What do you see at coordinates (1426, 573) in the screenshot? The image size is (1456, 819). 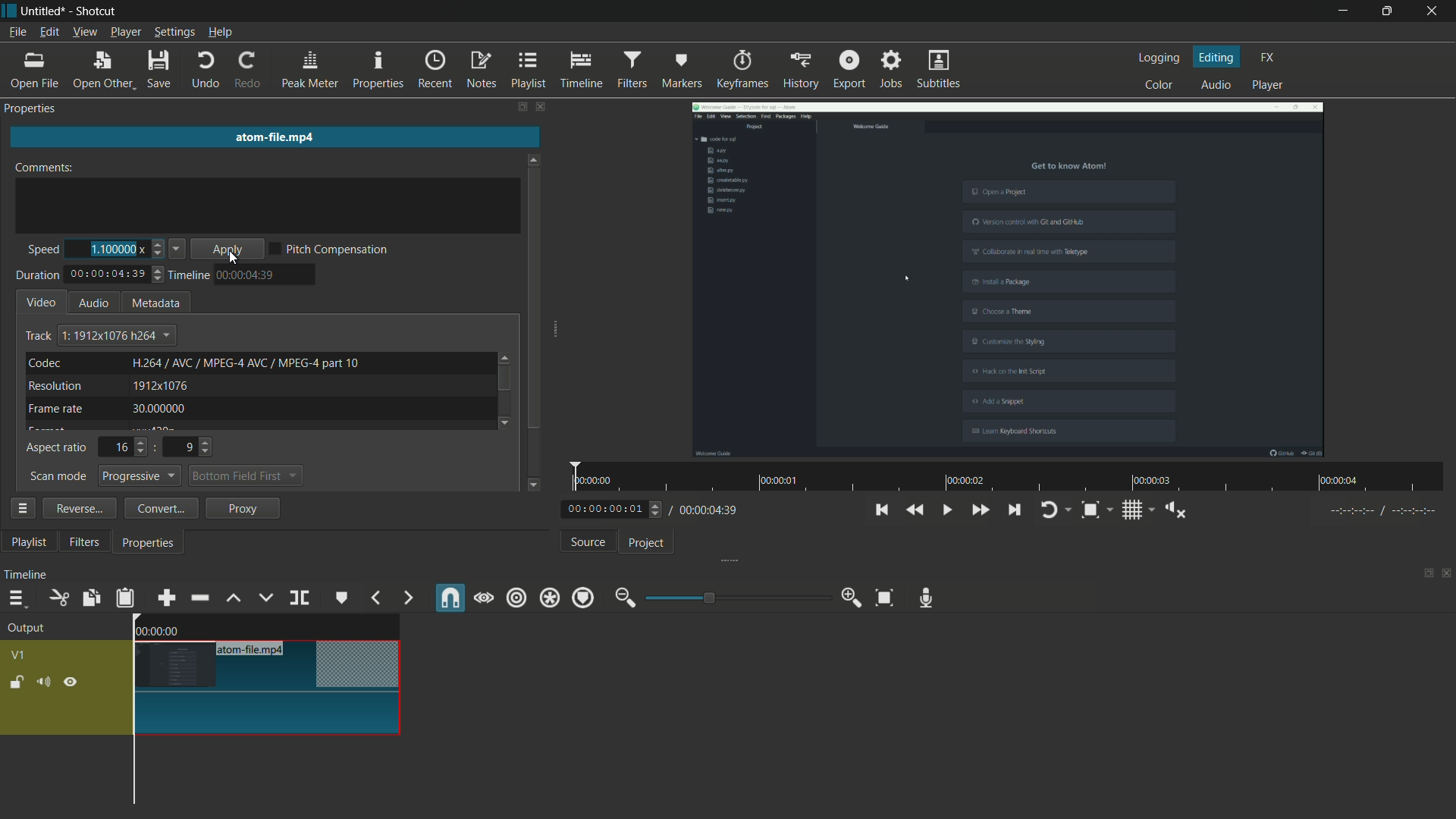 I see `change layout` at bounding box center [1426, 573].